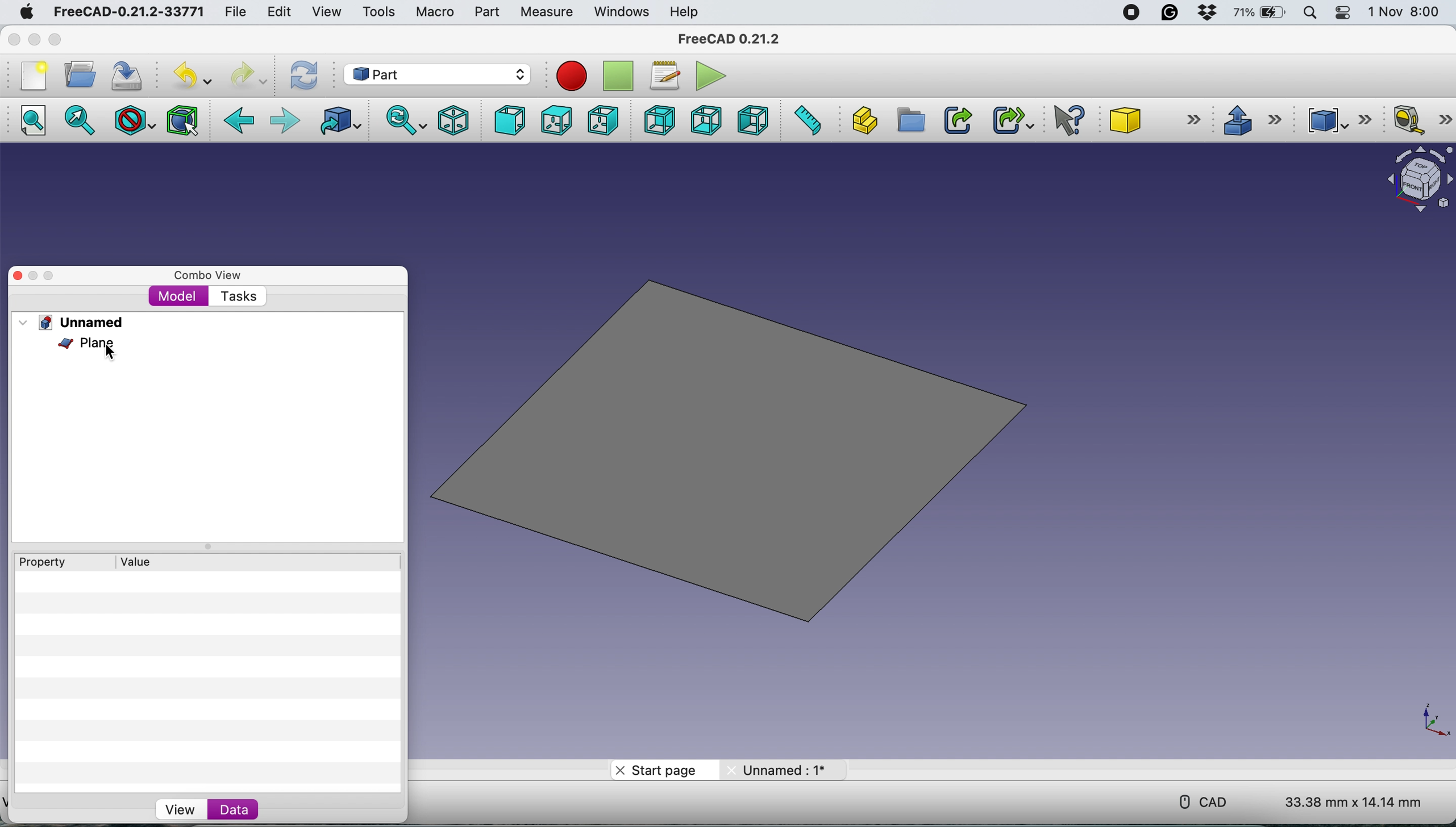 The width and height of the screenshot is (1456, 827). I want to click on maximise, so click(52, 272).